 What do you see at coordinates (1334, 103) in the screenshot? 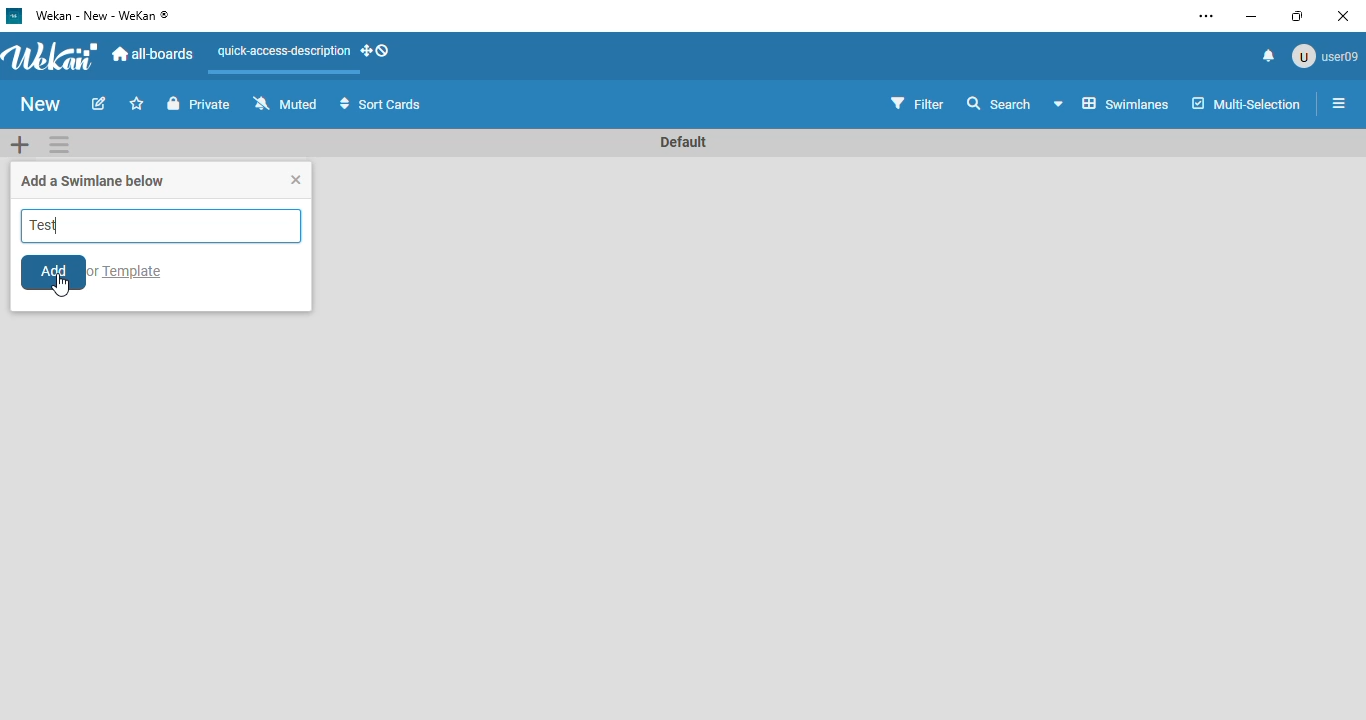
I see `open sidebar or close sidebar` at bounding box center [1334, 103].